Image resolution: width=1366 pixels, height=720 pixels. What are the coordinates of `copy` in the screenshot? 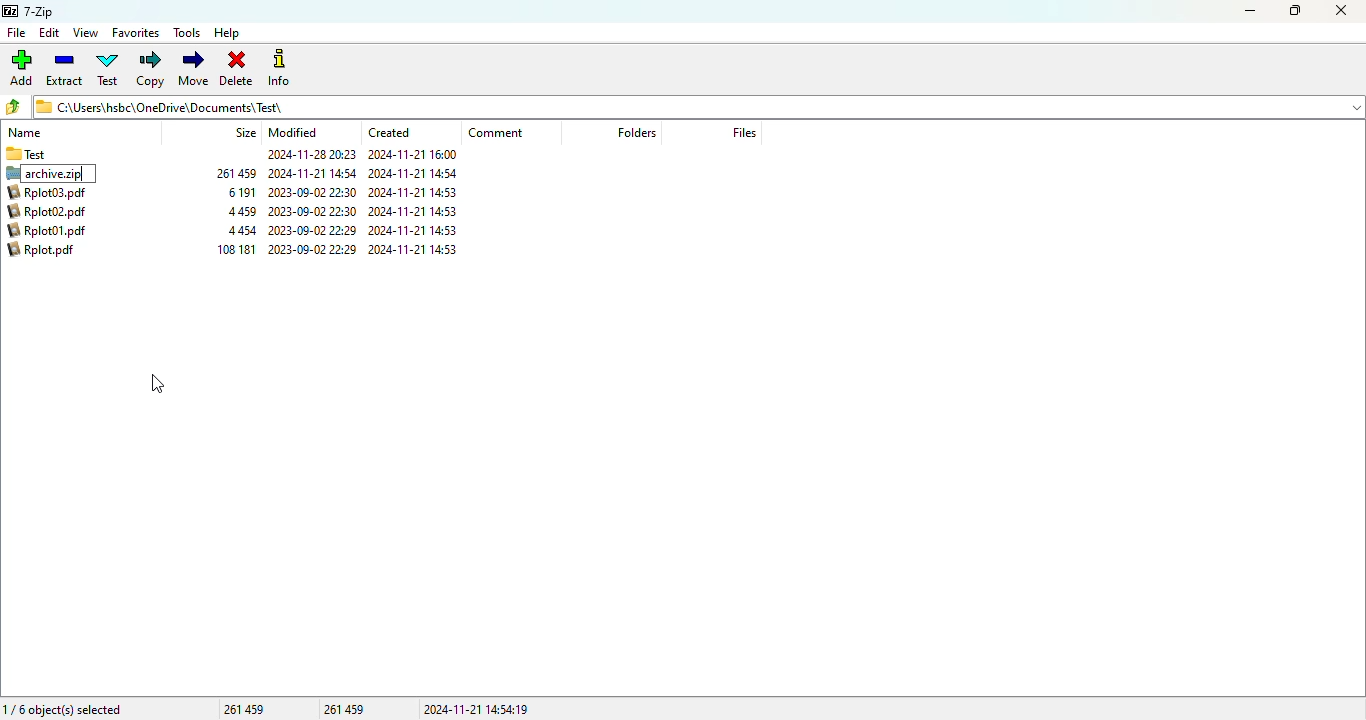 It's located at (150, 69).